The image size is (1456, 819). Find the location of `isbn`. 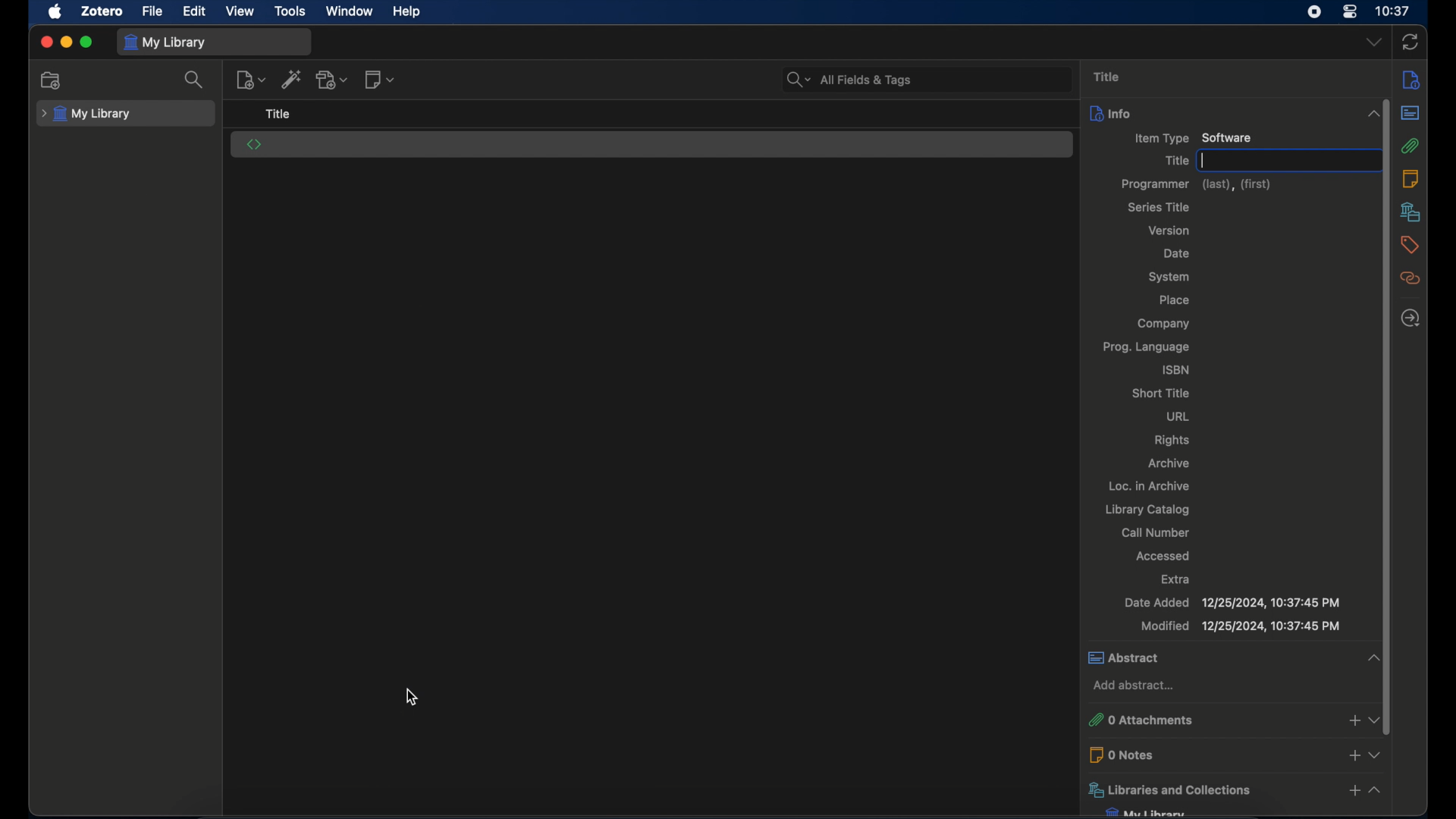

isbn is located at coordinates (1178, 368).